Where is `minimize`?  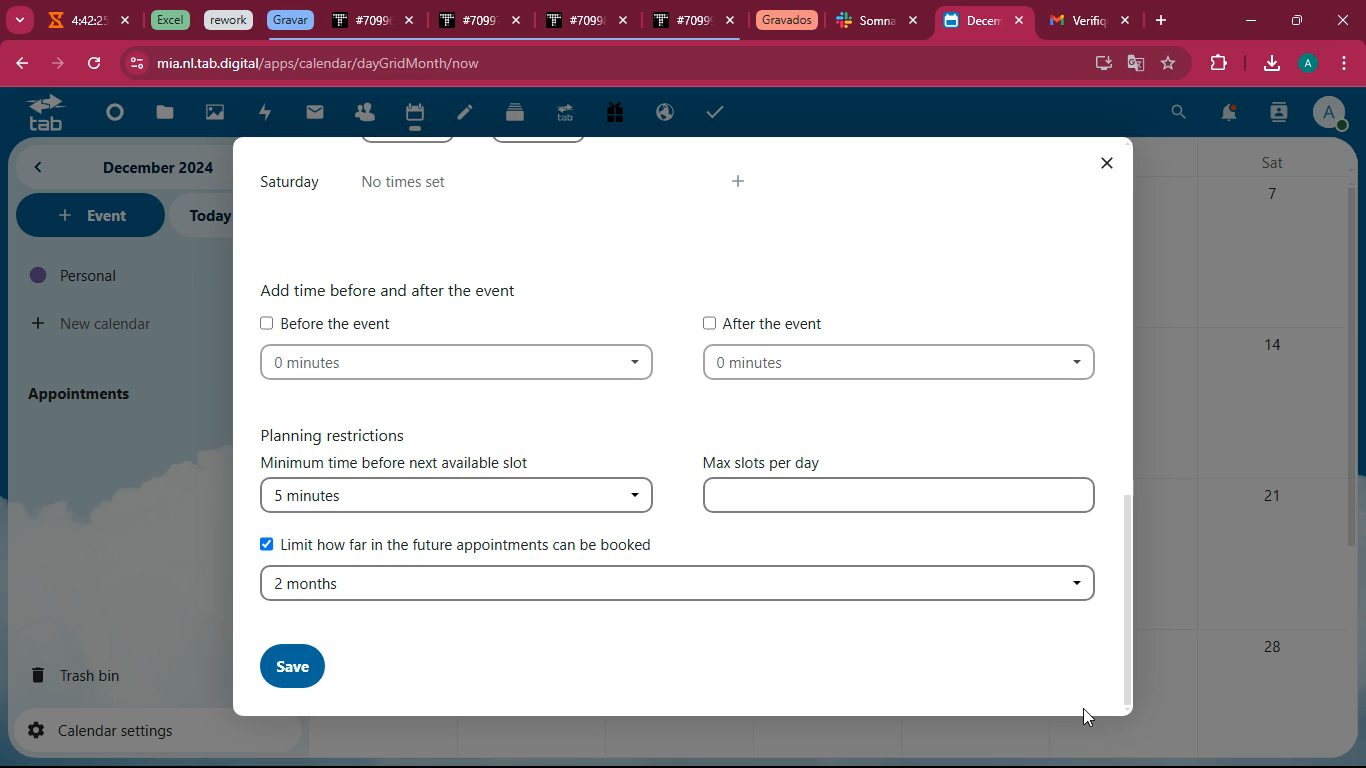 minimize is located at coordinates (1250, 22).